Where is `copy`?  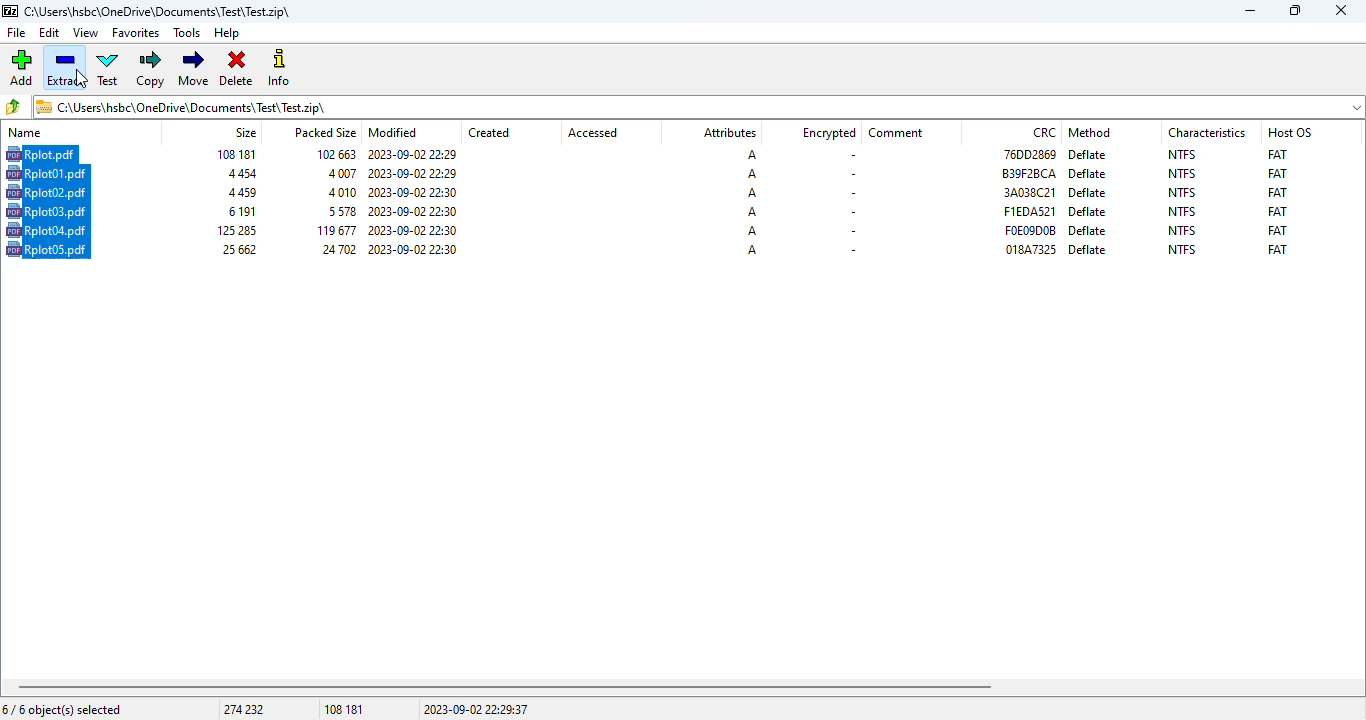 copy is located at coordinates (152, 69).